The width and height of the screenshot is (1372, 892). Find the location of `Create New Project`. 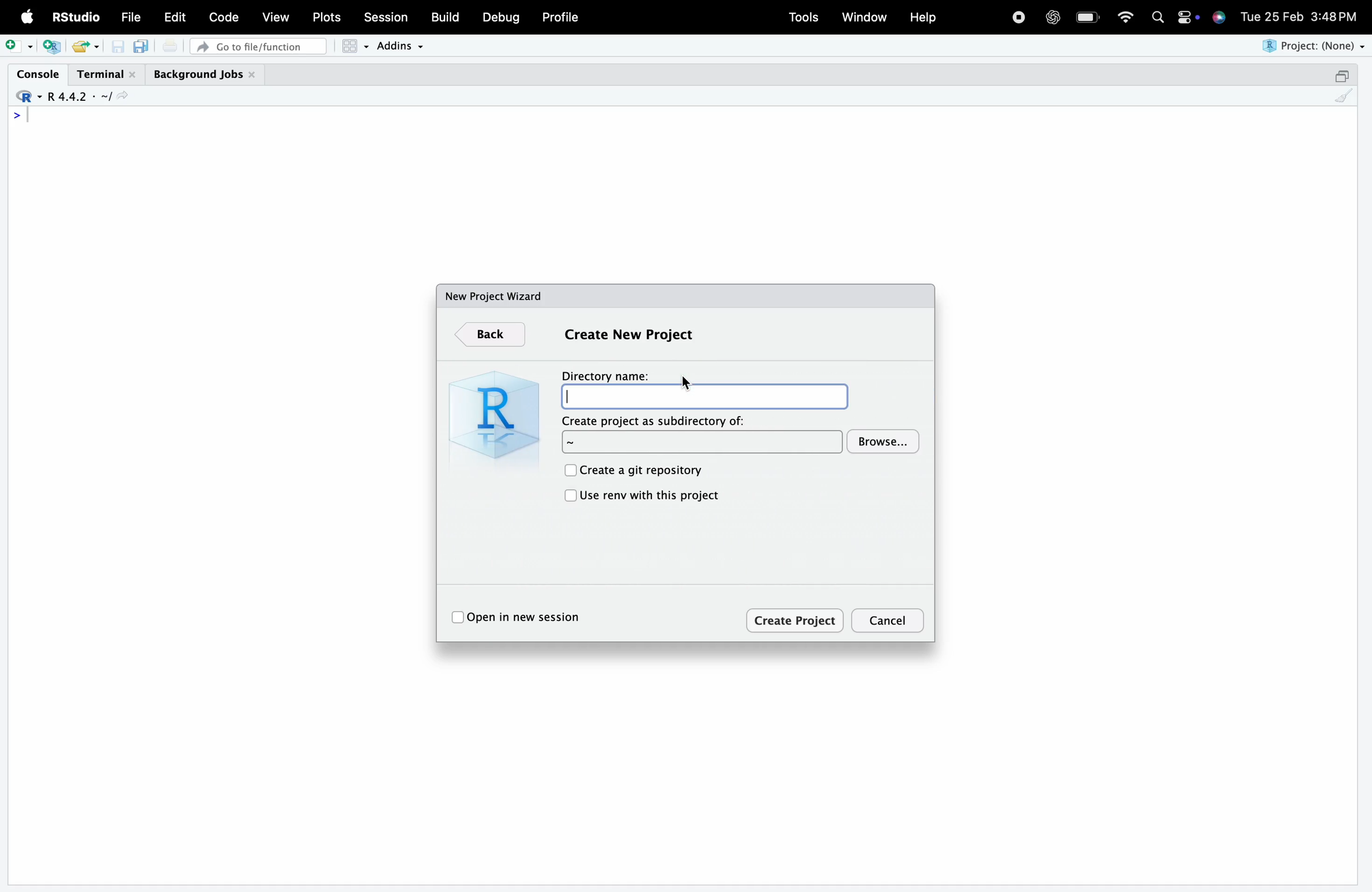

Create New Project is located at coordinates (628, 335).